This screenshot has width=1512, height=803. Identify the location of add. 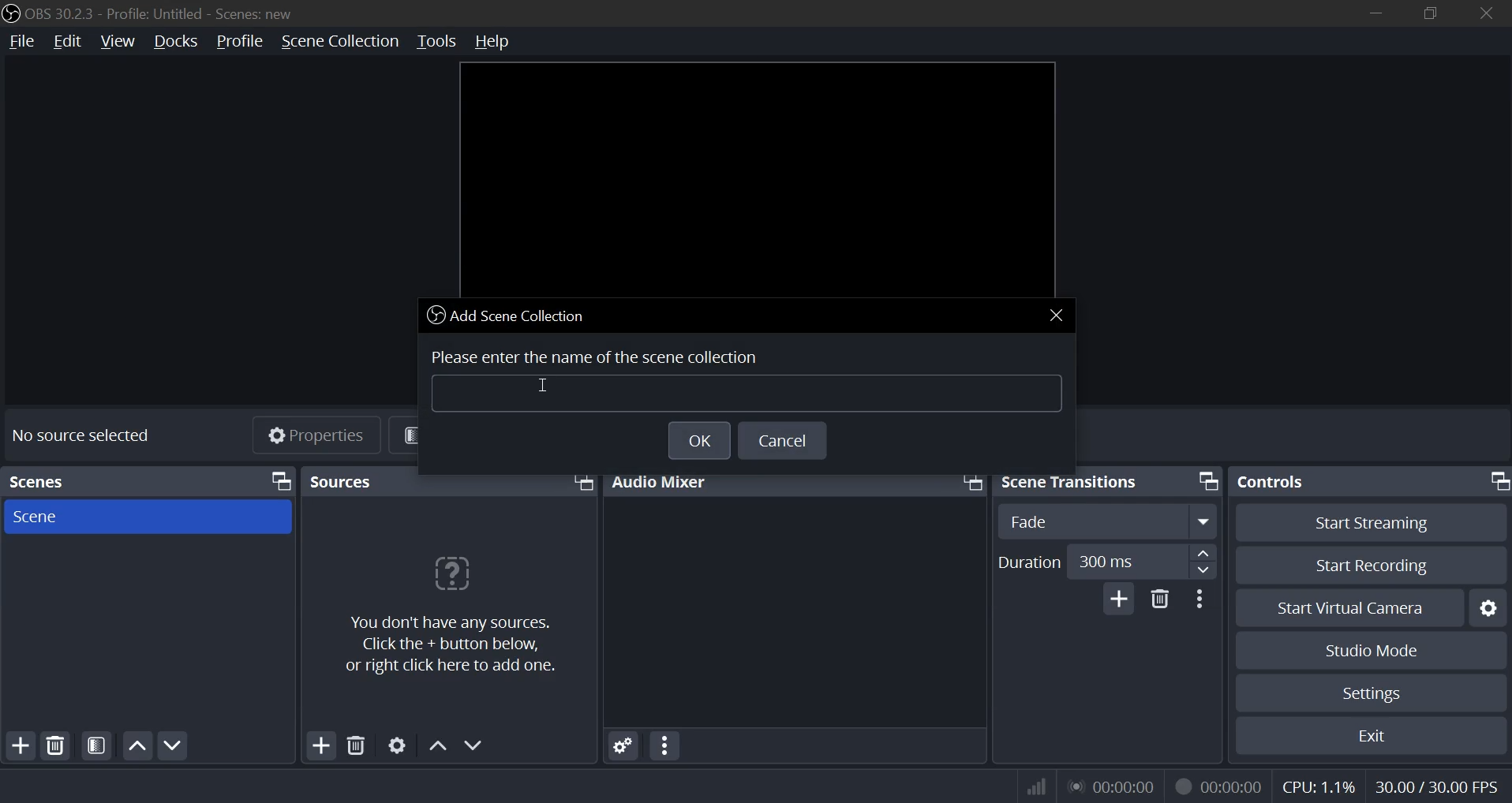
(23, 744).